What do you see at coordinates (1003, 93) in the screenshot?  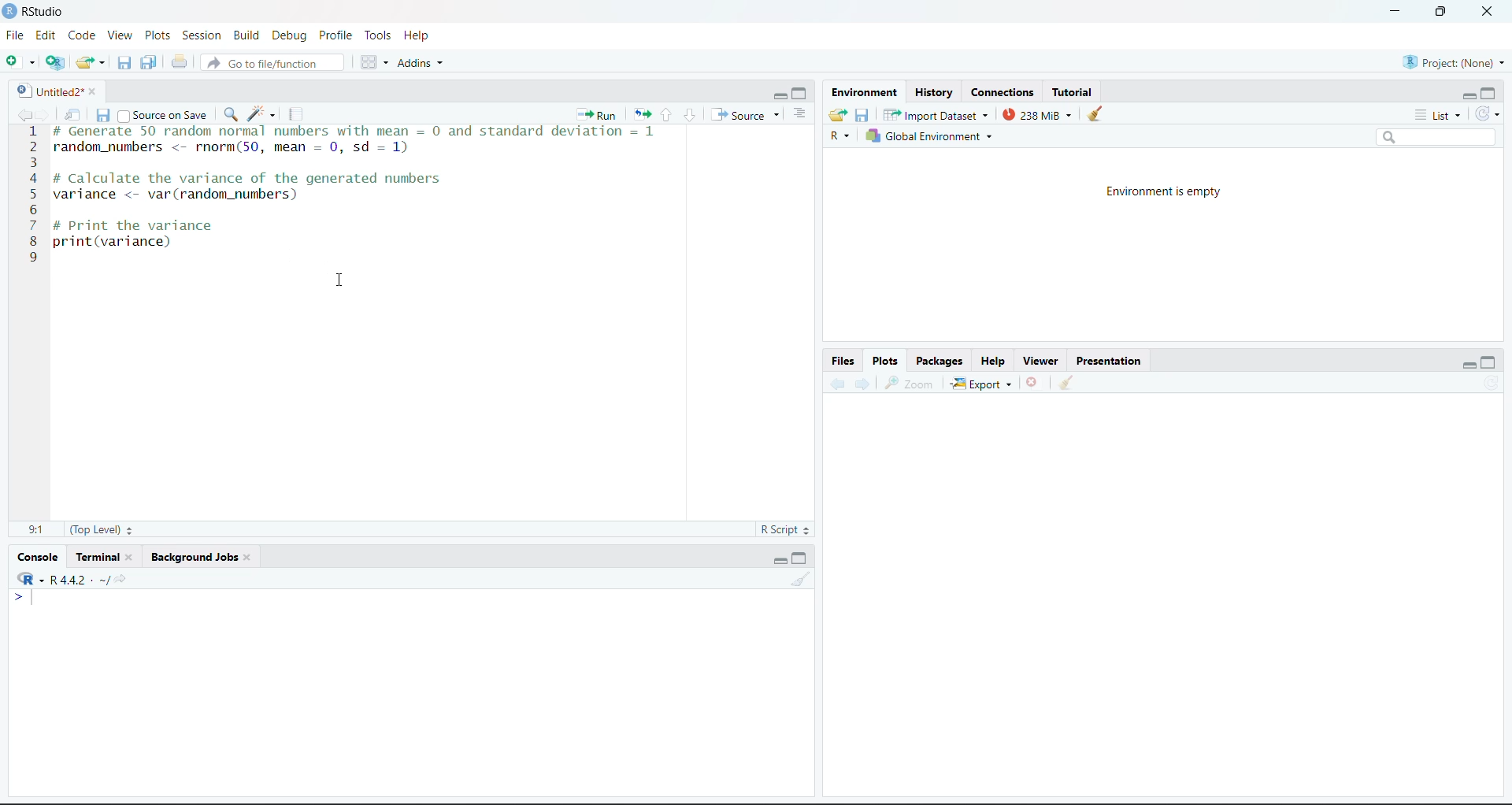 I see `Connections` at bounding box center [1003, 93].